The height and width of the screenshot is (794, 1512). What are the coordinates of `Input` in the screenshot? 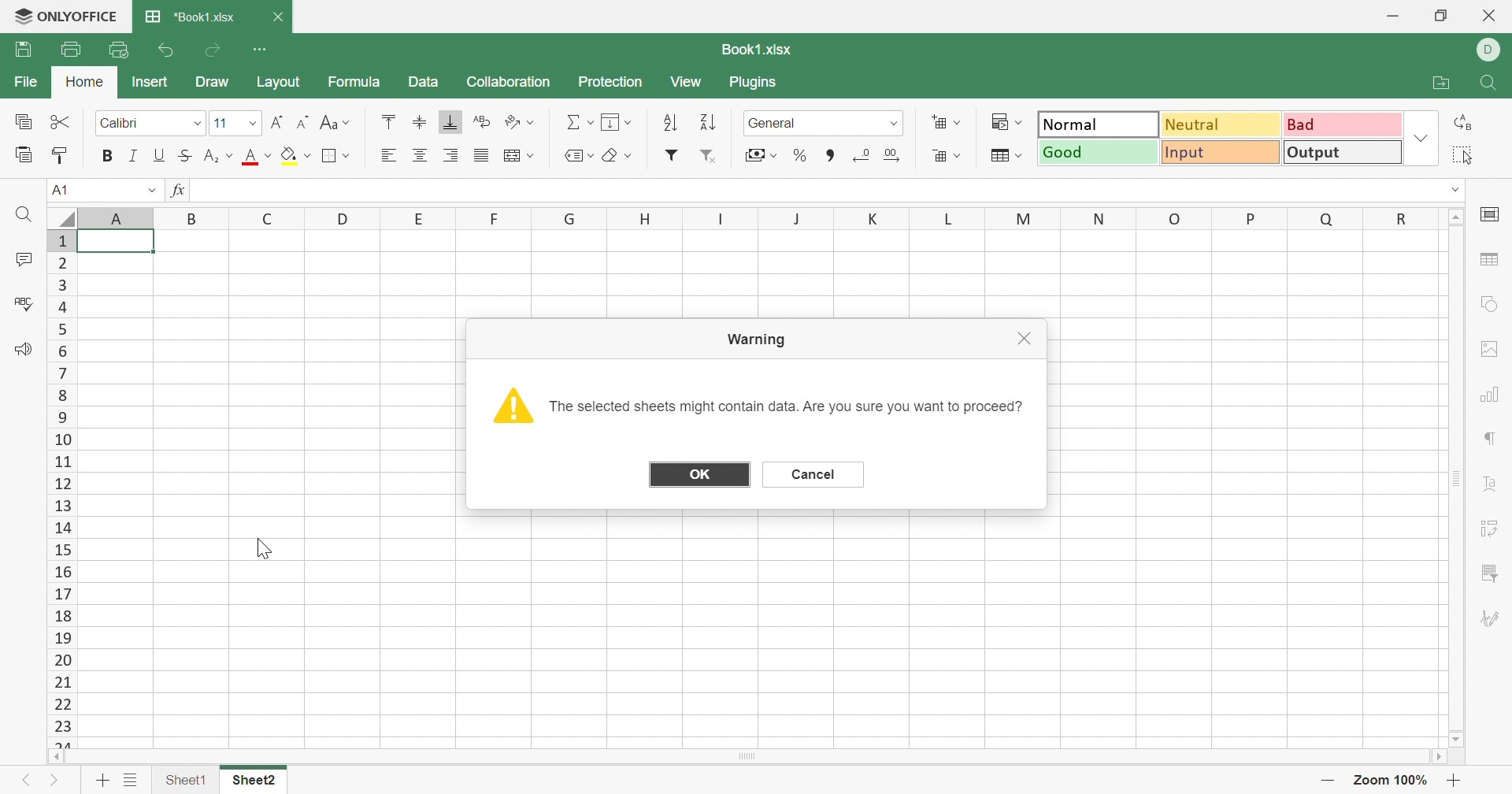 It's located at (1217, 154).